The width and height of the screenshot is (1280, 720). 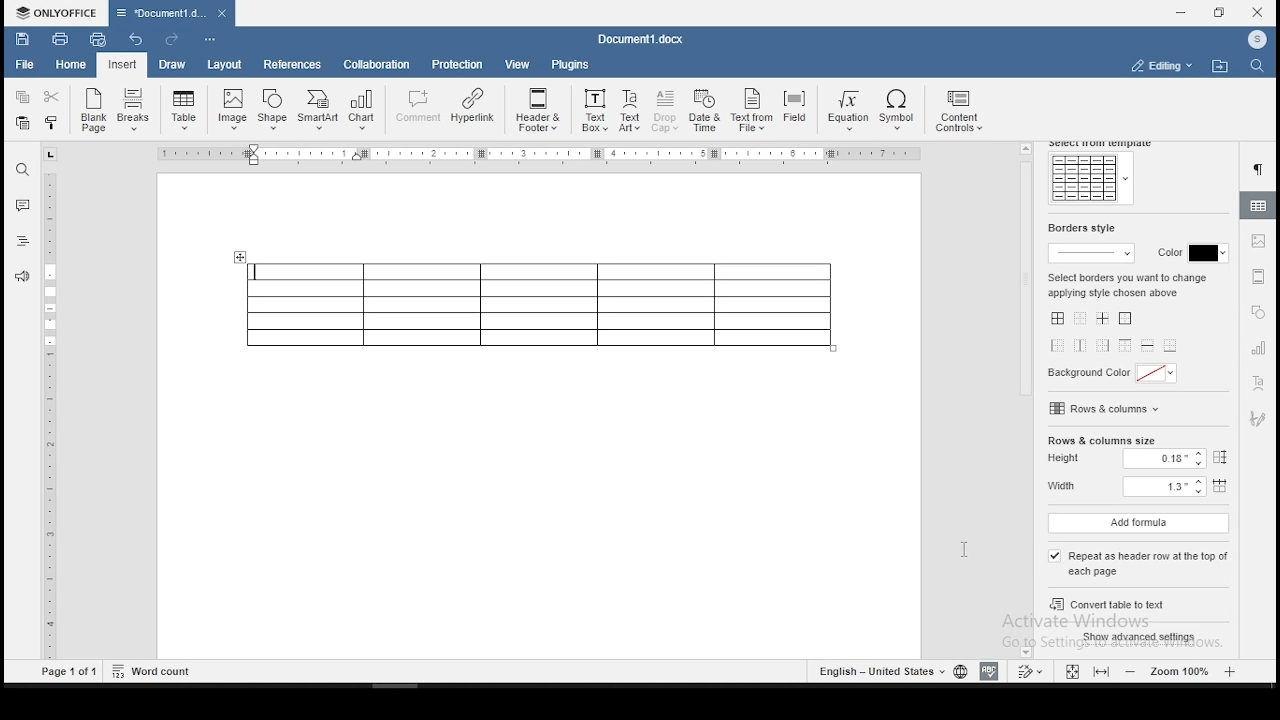 I want to click on Document3.docx, so click(x=171, y=13).